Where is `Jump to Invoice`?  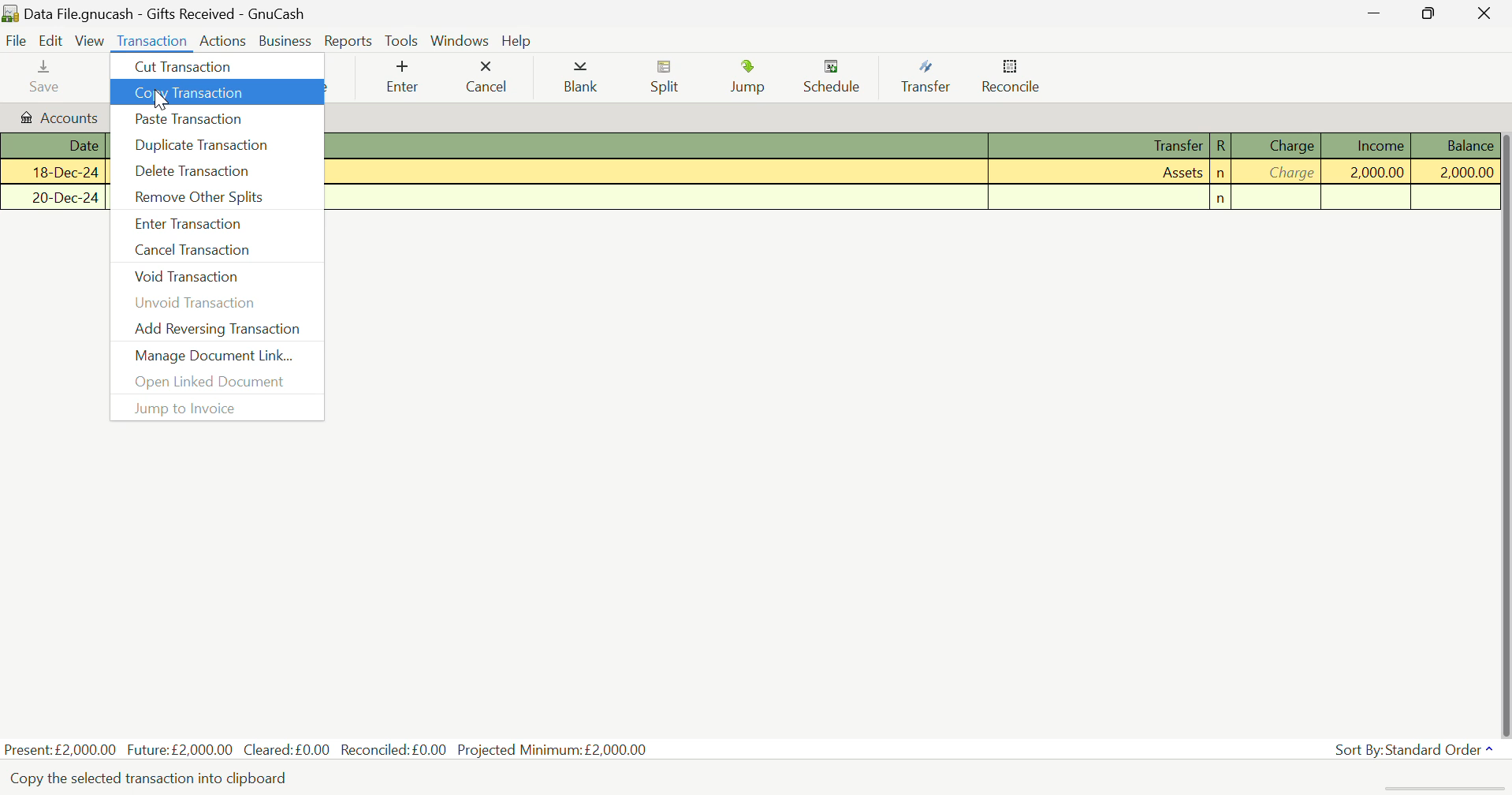 Jump to Invoice is located at coordinates (218, 407).